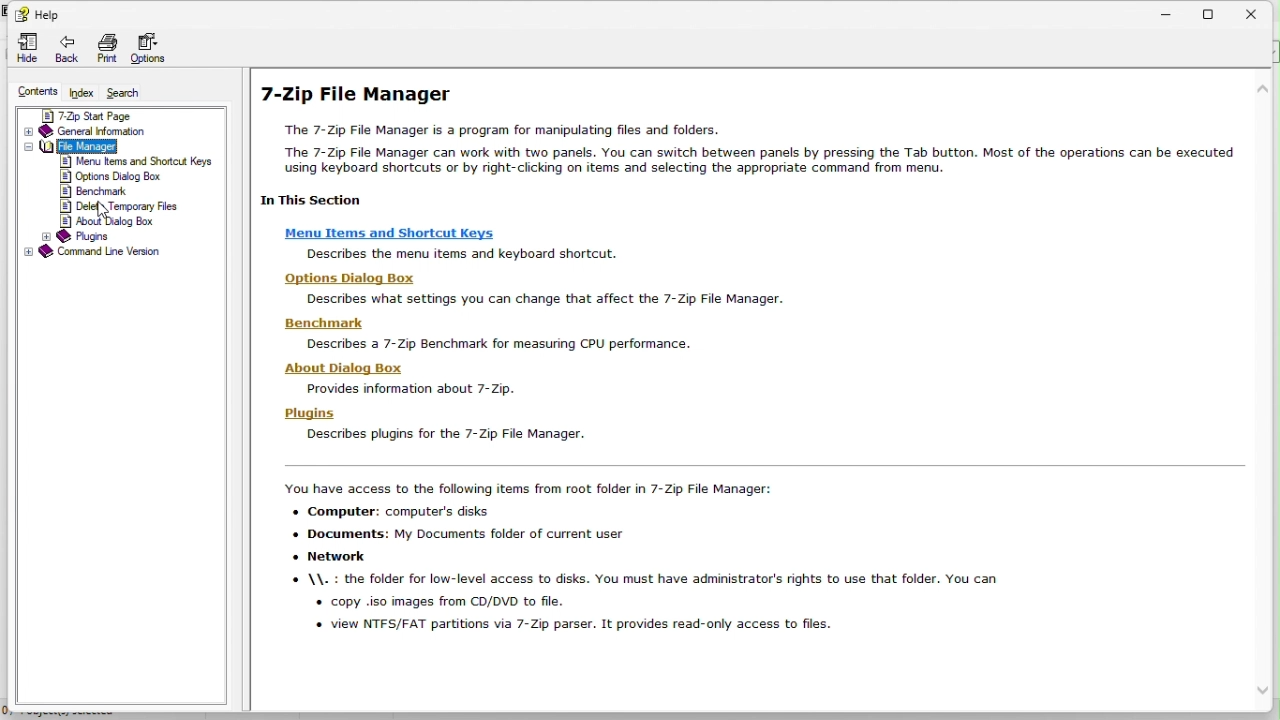 The image size is (1280, 720). What do you see at coordinates (138, 163) in the screenshot?
I see `menu items and shortcut keys` at bounding box center [138, 163].